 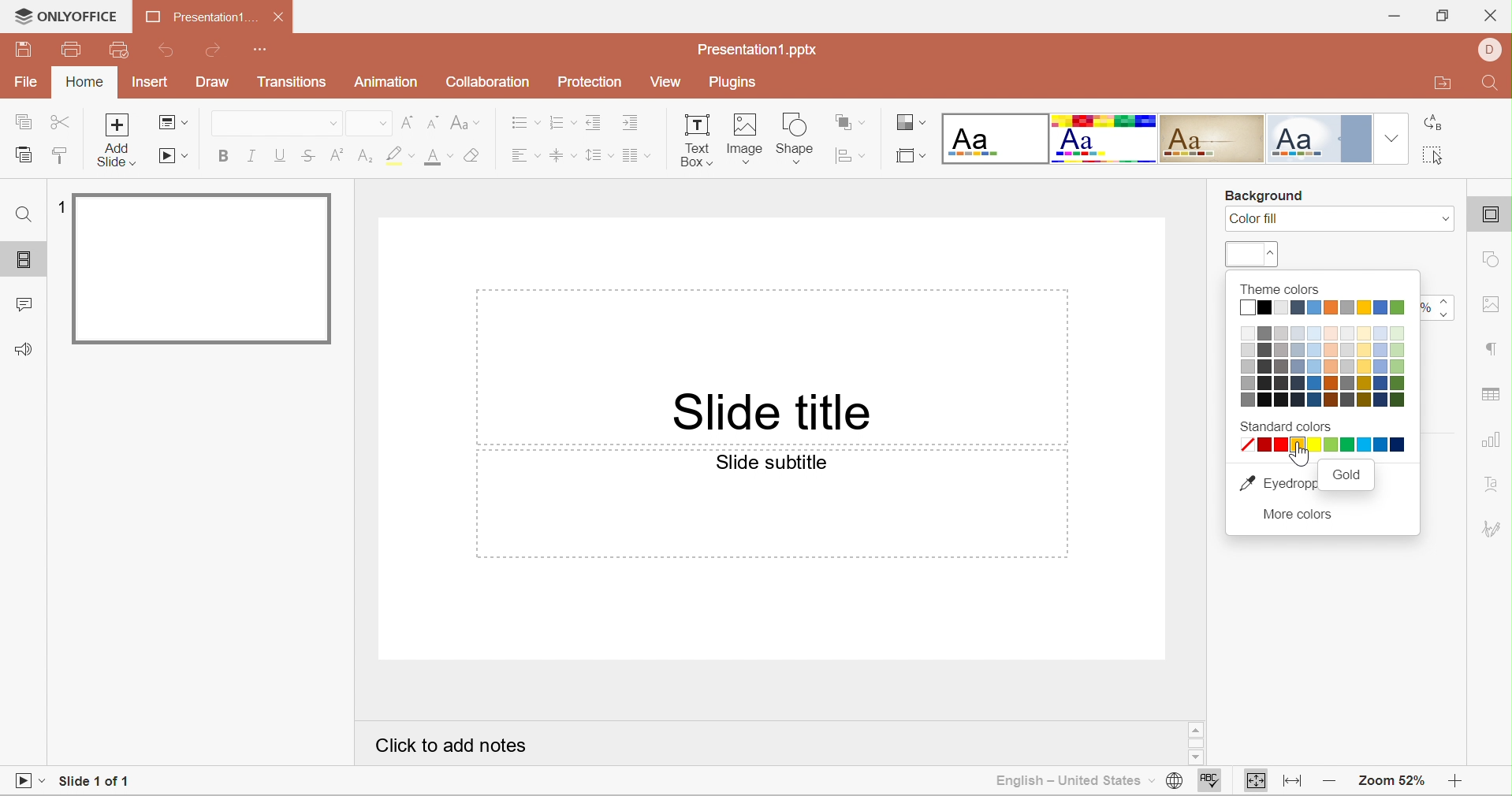 I want to click on Strikethrough, so click(x=307, y=158).